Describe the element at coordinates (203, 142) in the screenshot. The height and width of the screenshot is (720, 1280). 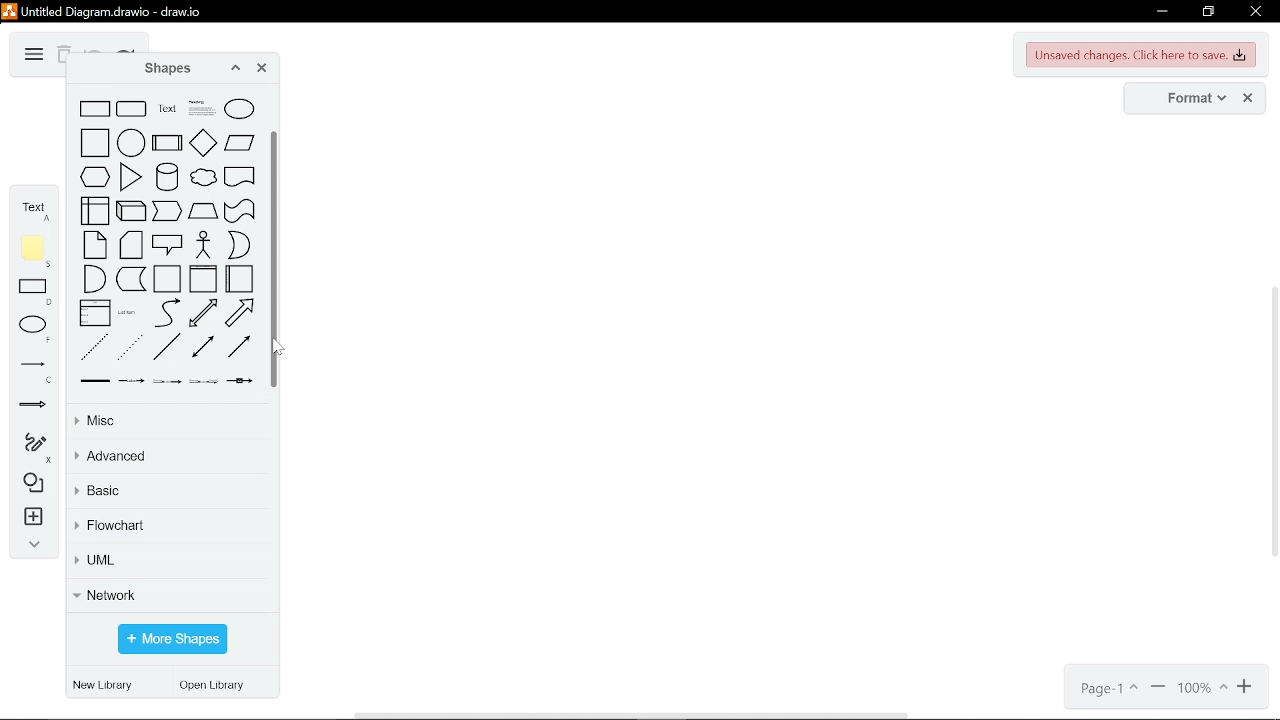
I see `diamond` at that location.